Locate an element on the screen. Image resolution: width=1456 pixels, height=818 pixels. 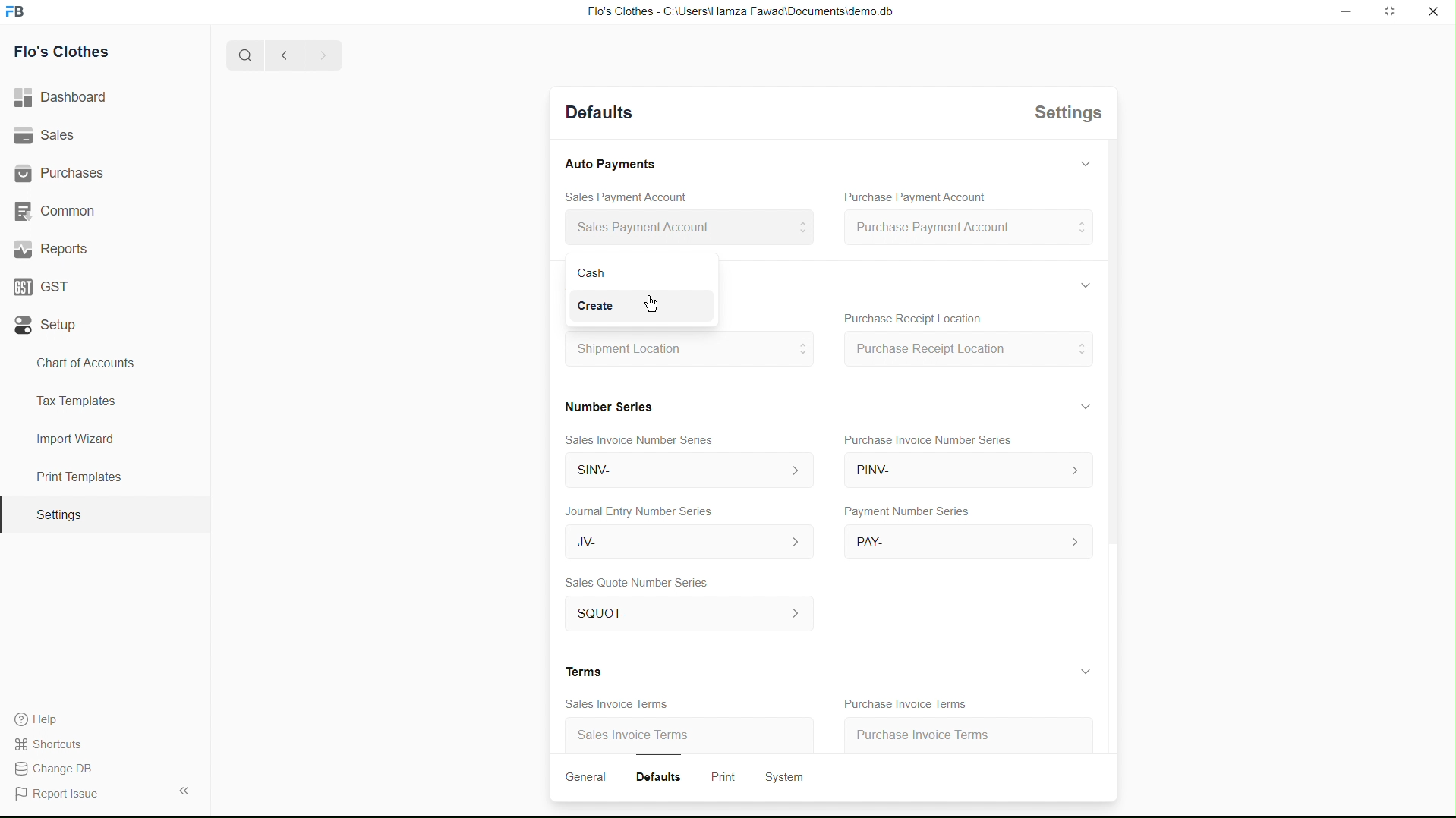
PAY- is located at coordinates (969, 543).